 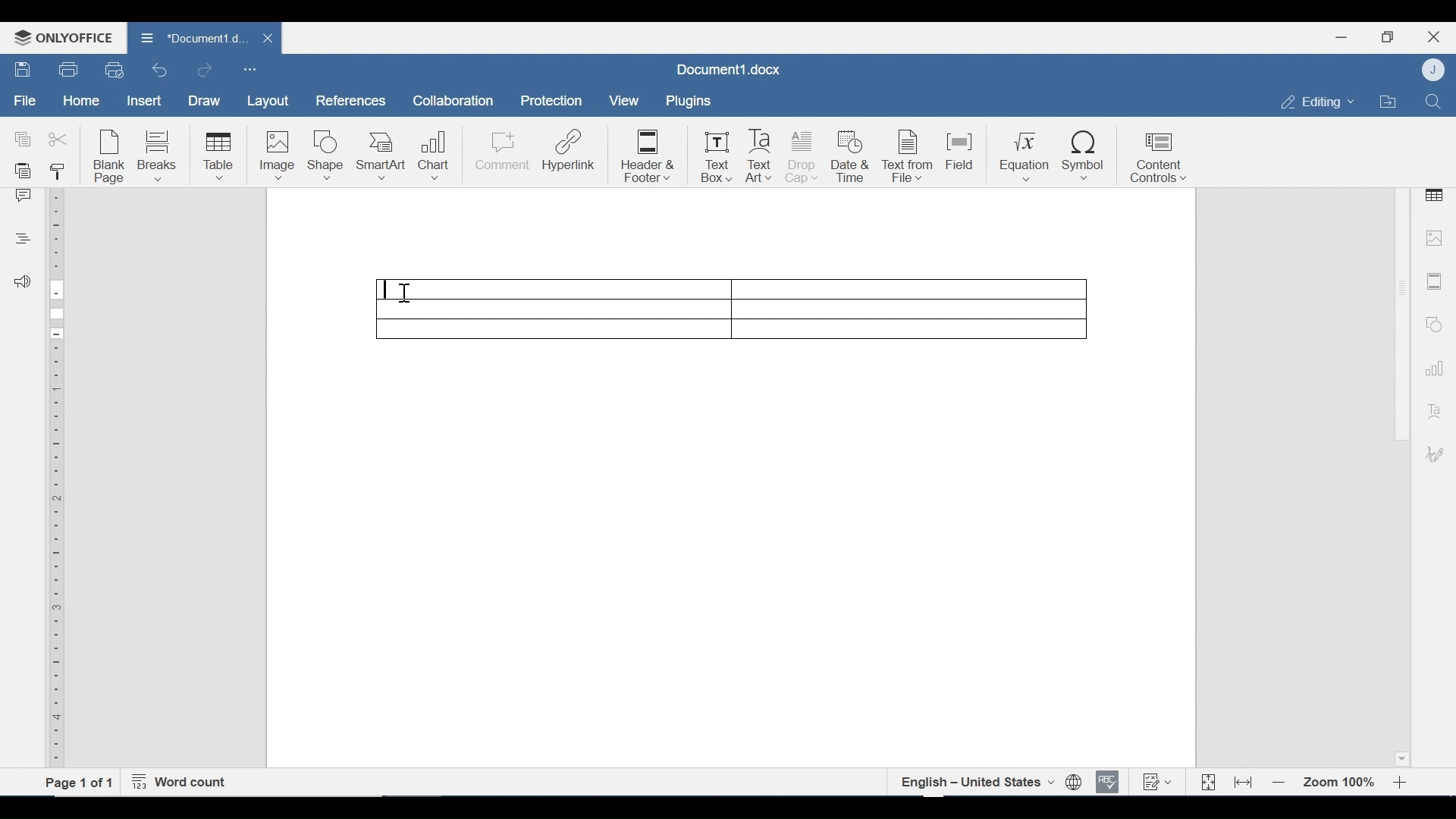 What do you see at coordinates (24, 197) in the screenshot?
I see `Comment` at bounding box center [24, 197].